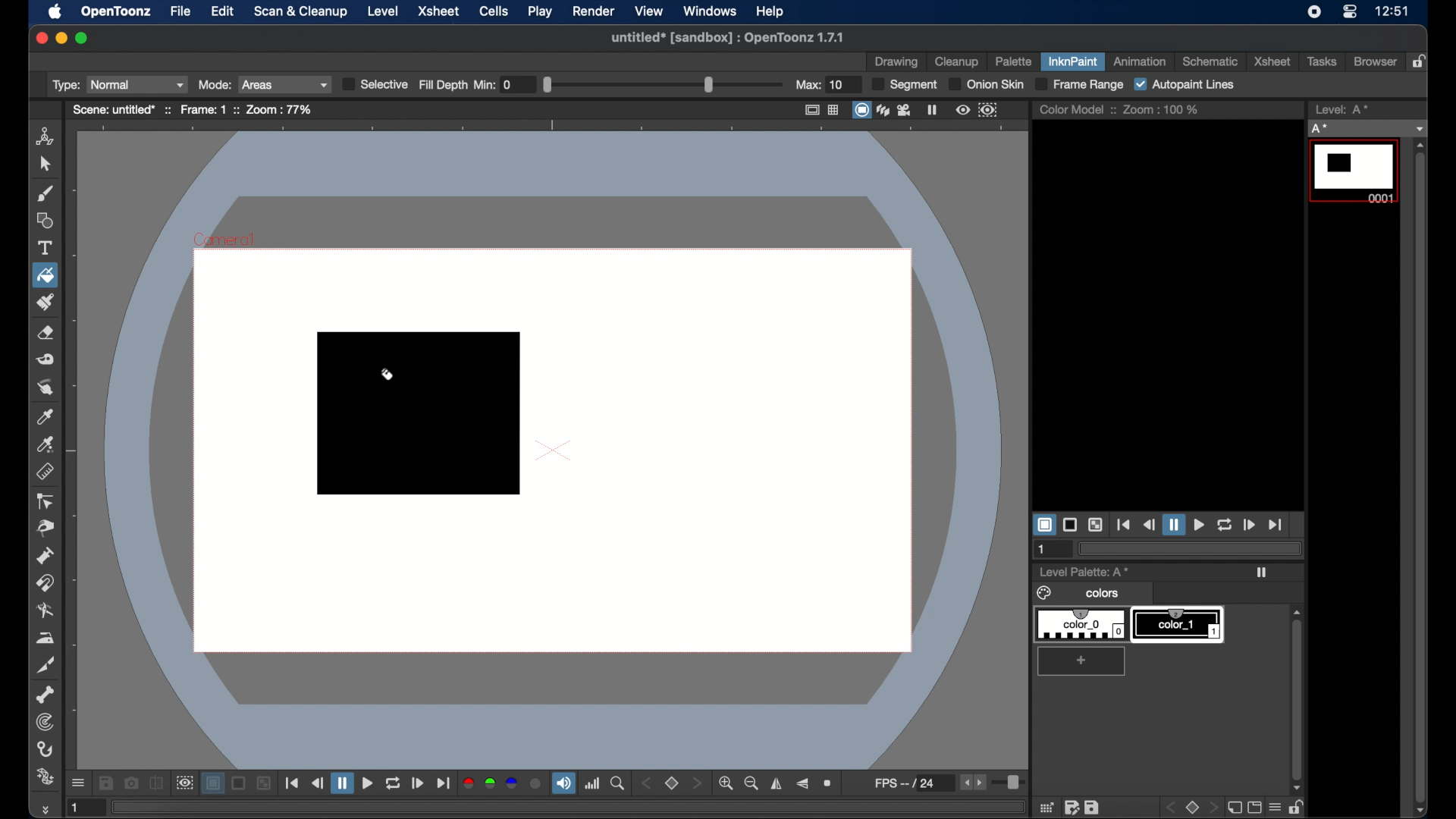 This screenshot has height=819, width=1456. Describe the element at coordinates (83, 38) in the screenshot. I see `maximize` at that location.